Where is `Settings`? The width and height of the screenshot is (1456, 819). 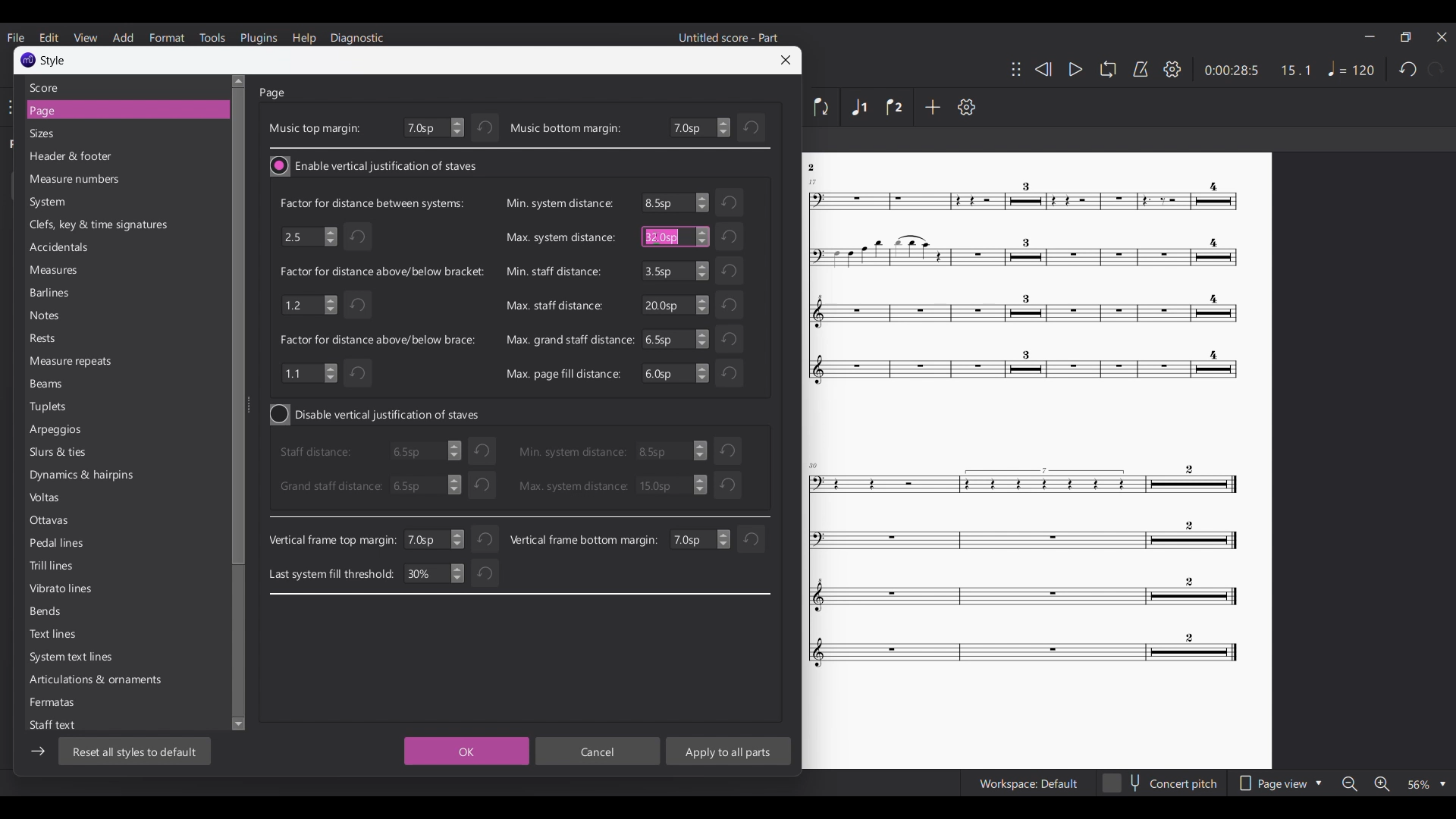
Settings is located at coordinates (966, 107).